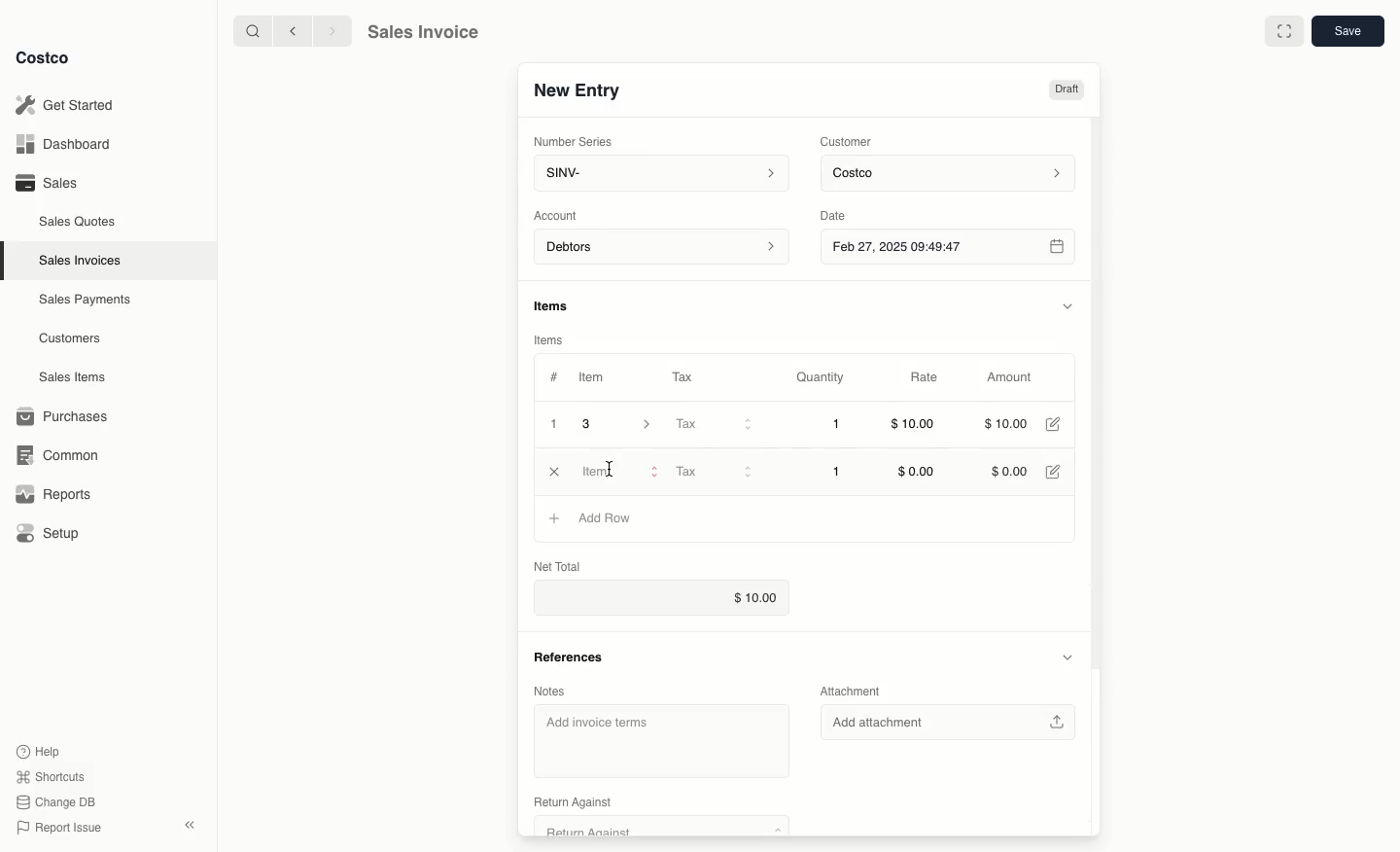 Image resolution: width=1400 pixels, height=852 pixels. Describe the element at coordinates (662, 248) in the screenshot. I see `Debtors` at that location.